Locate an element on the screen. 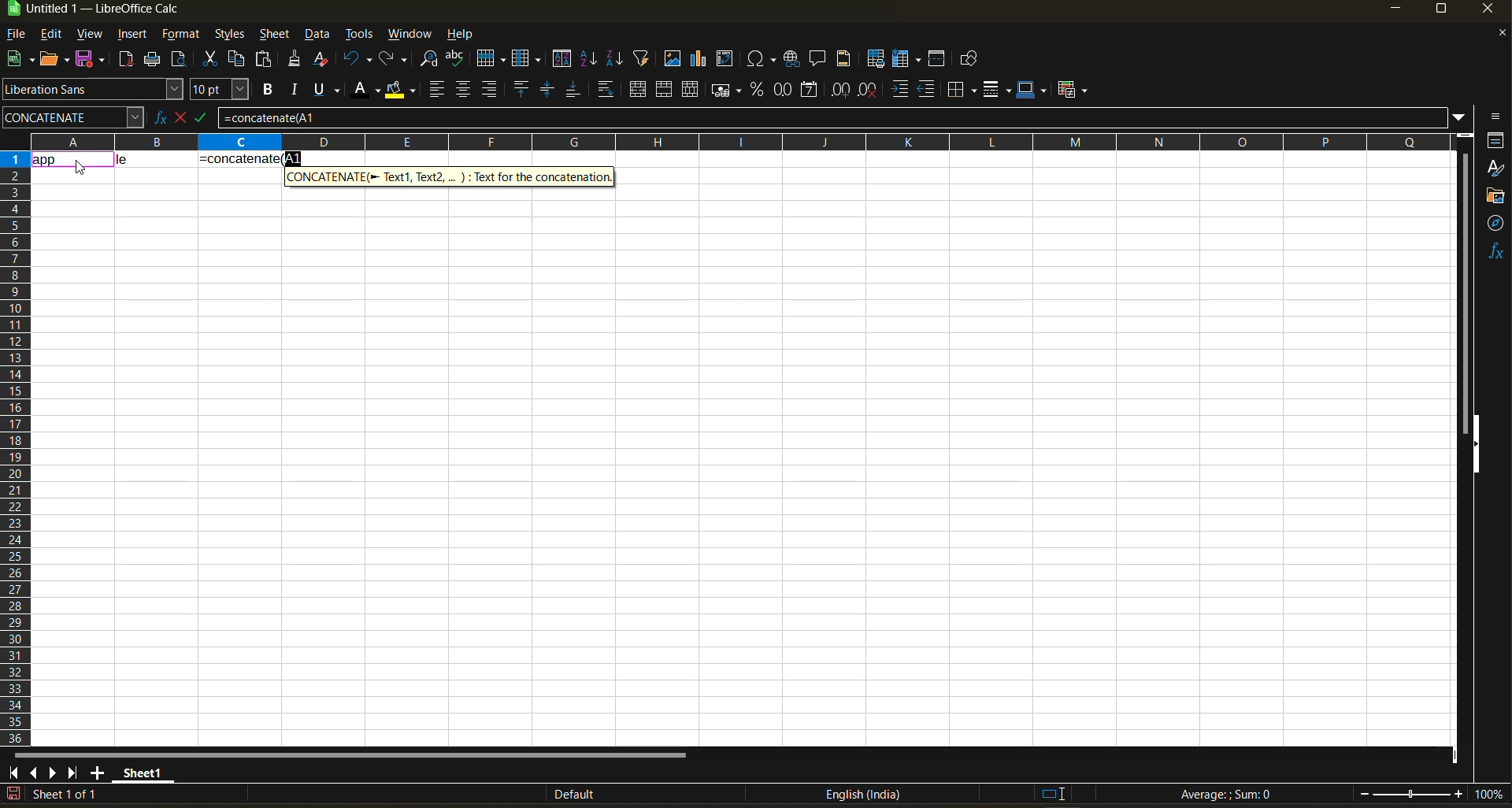  merge and center is located at coordinates (638, 91).